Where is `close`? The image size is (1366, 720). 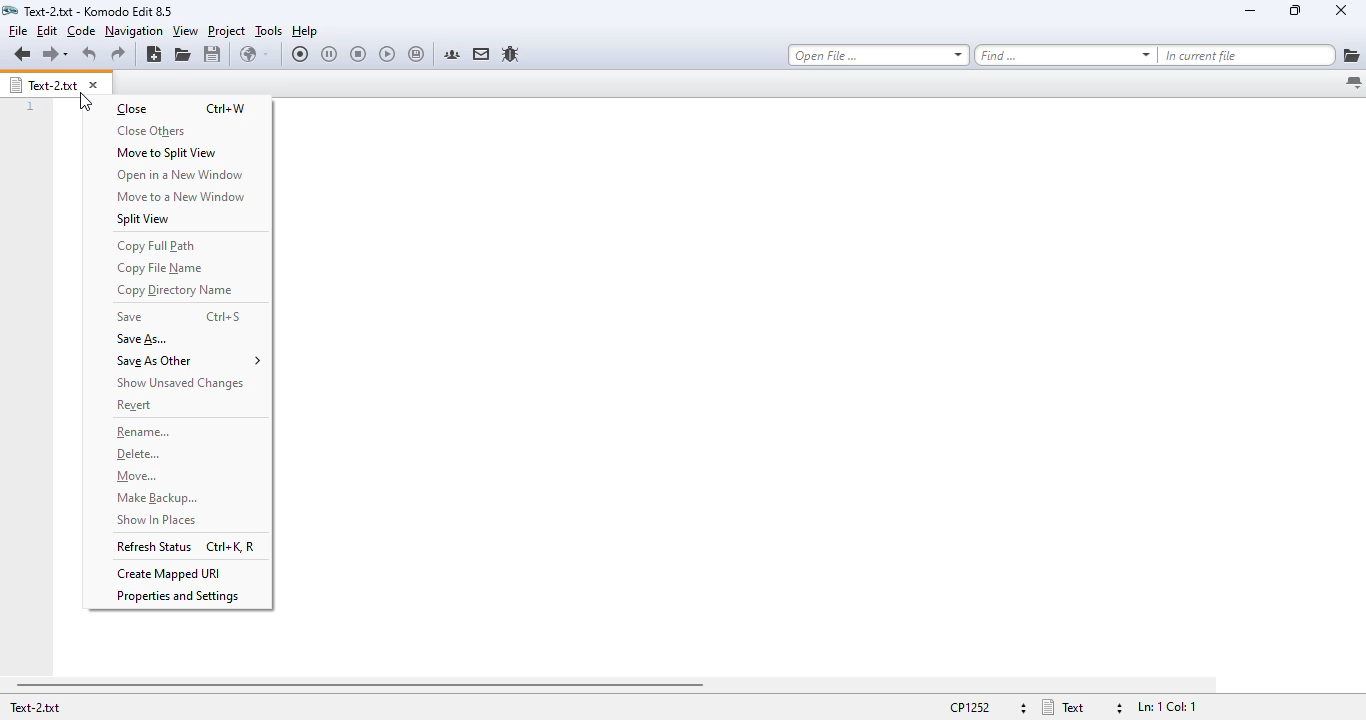
close is located at coordinates (132, 109).